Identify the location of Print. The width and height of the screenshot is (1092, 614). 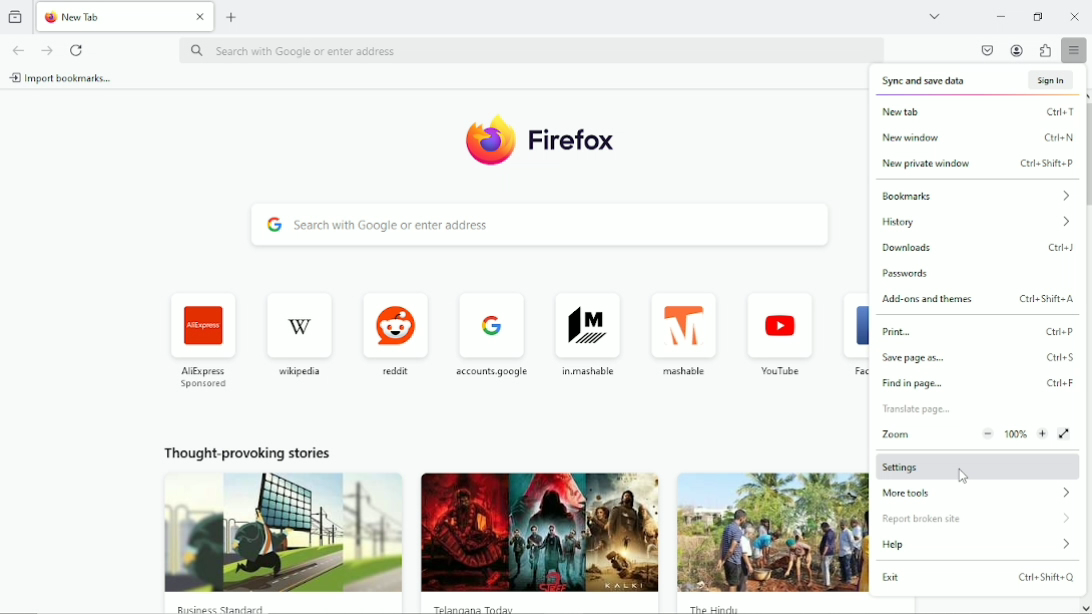
(981, 332).